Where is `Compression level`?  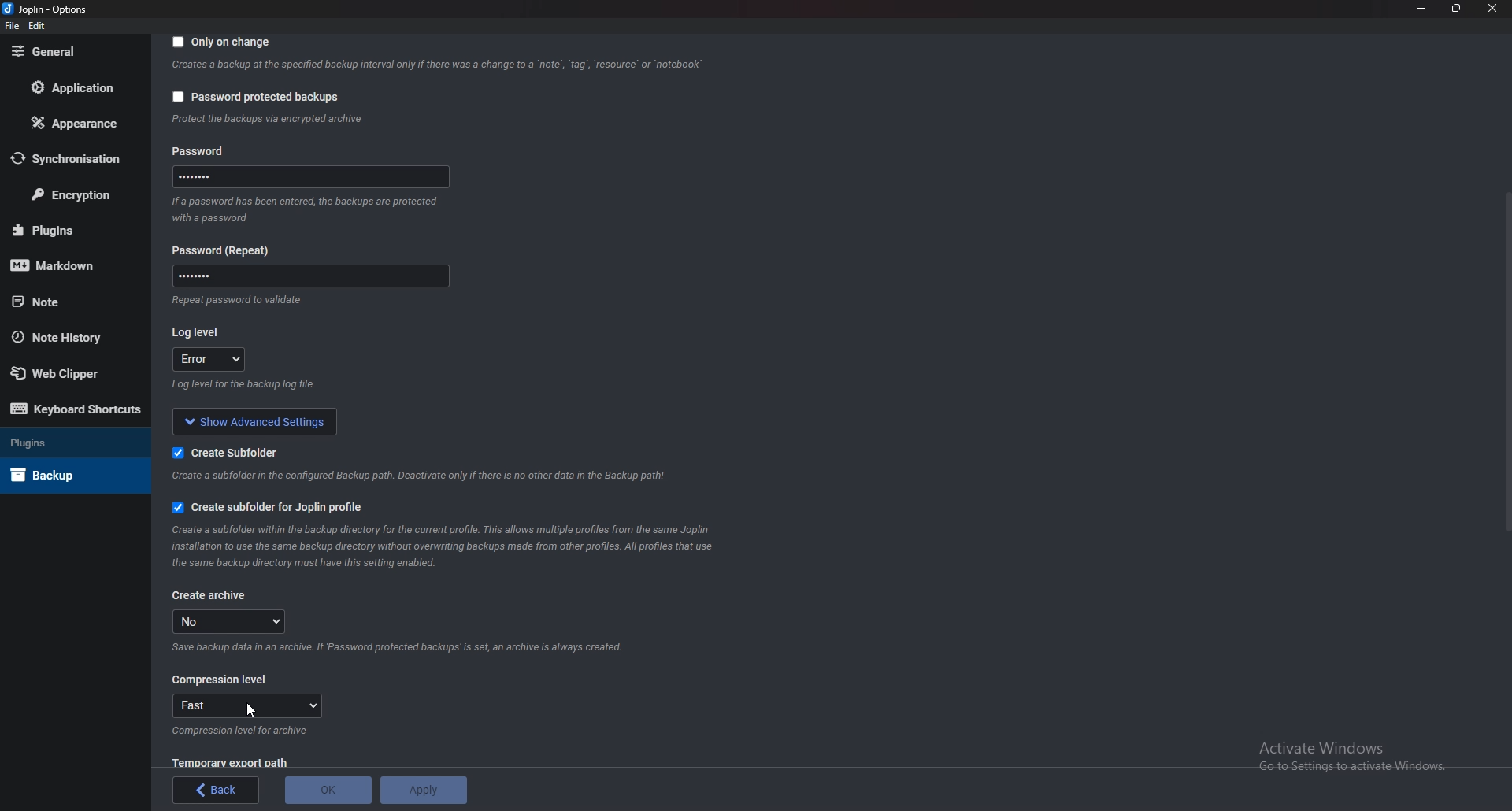 Compression level is located at coordinates (220, 680).